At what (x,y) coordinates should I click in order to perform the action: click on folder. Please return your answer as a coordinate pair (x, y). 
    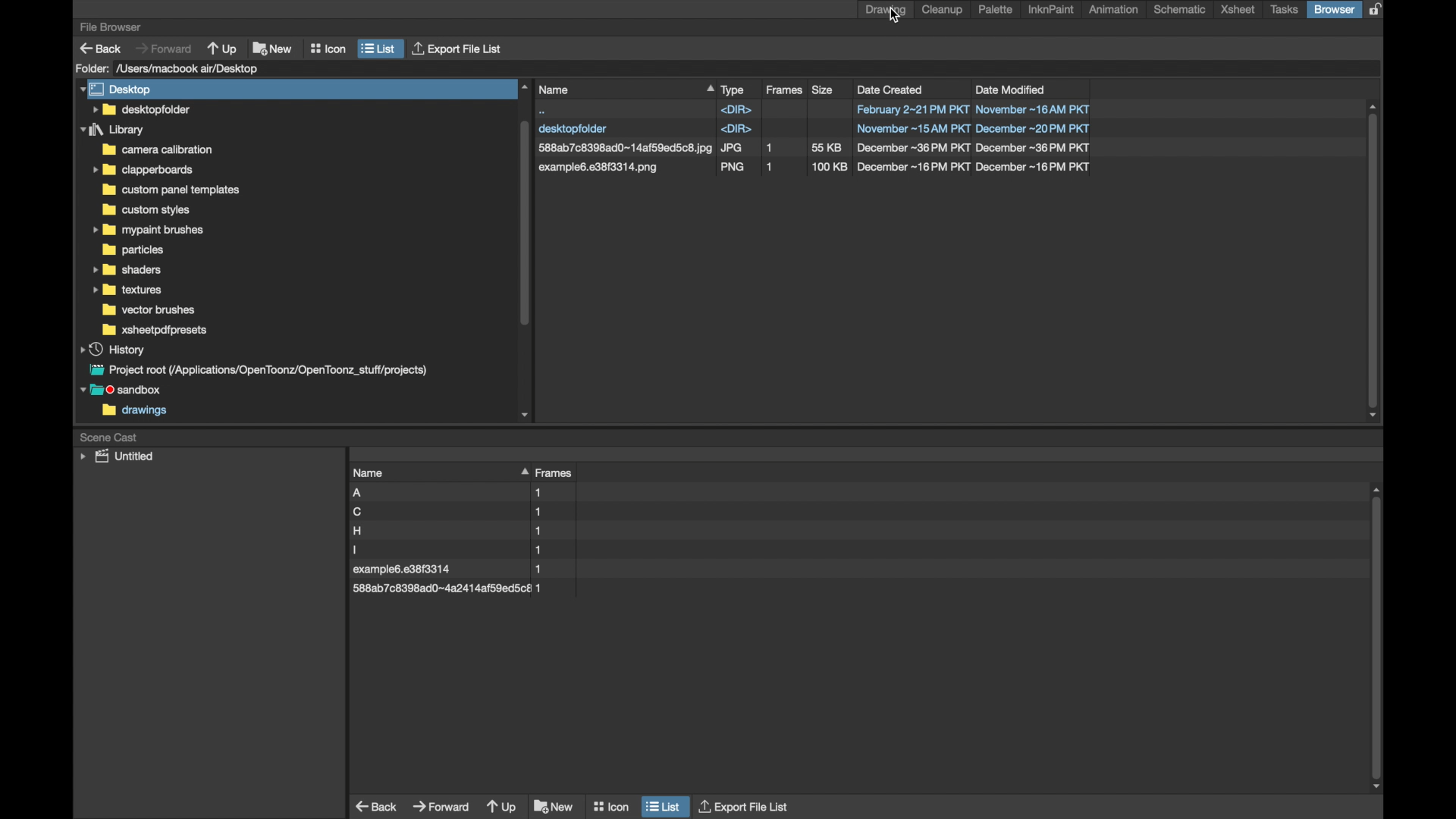
    Looking at the image, I should click on (156, 149).